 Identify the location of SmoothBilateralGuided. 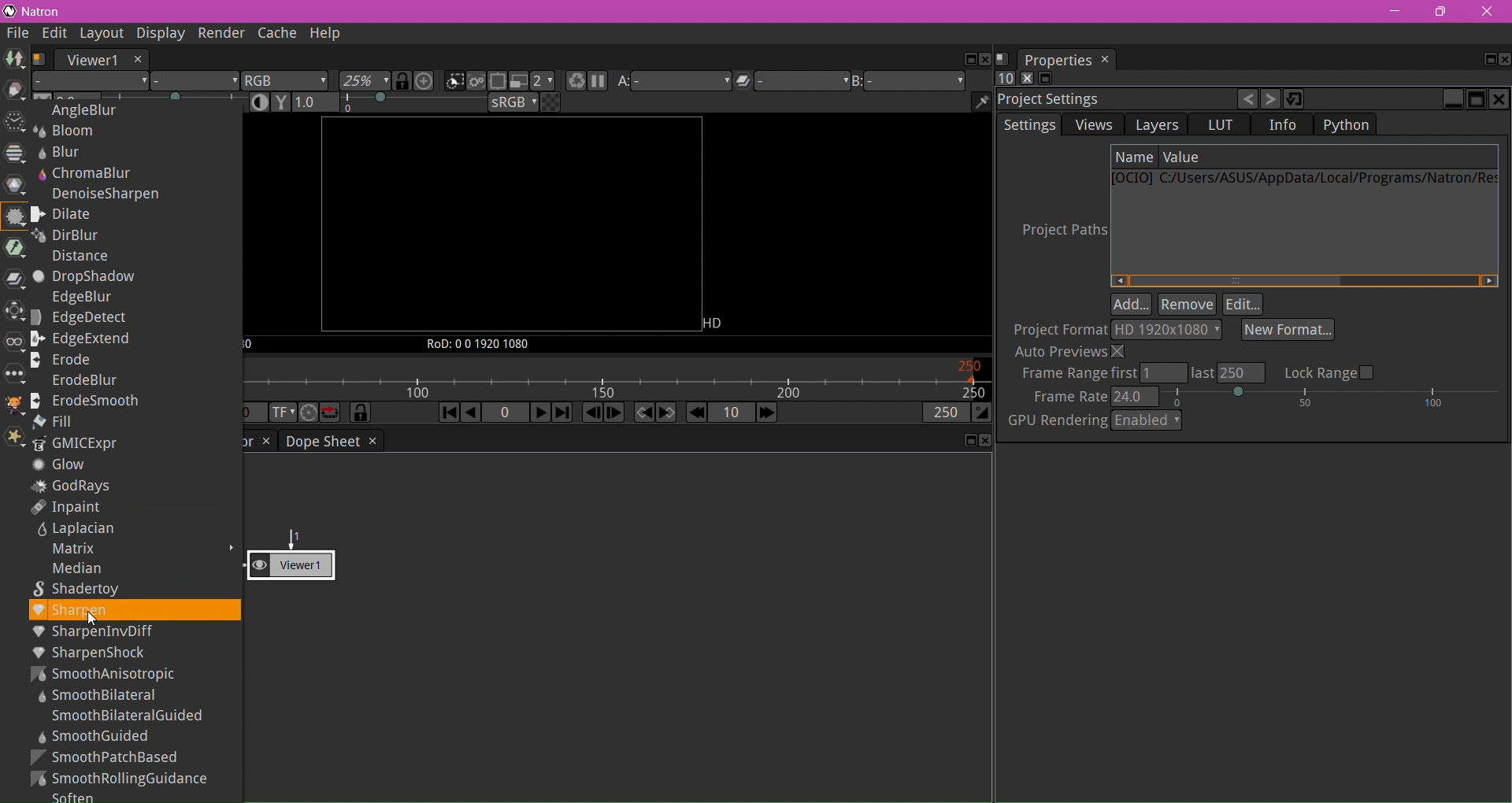
(128, 716).